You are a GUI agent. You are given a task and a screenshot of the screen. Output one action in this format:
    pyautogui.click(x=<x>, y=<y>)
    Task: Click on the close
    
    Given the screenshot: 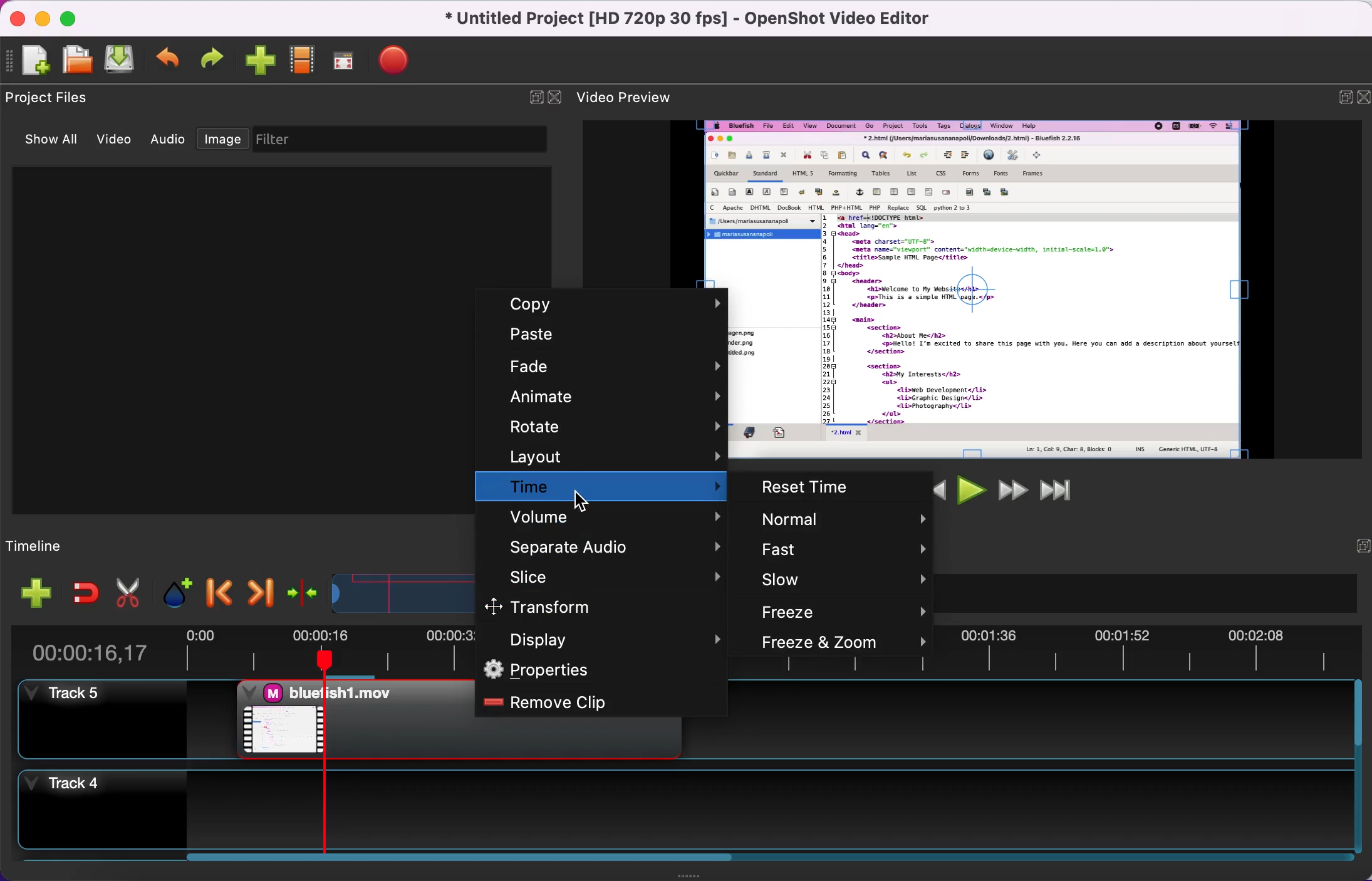 What is the action you would take?
    pyautogui.click(x=1361, y=98)
    